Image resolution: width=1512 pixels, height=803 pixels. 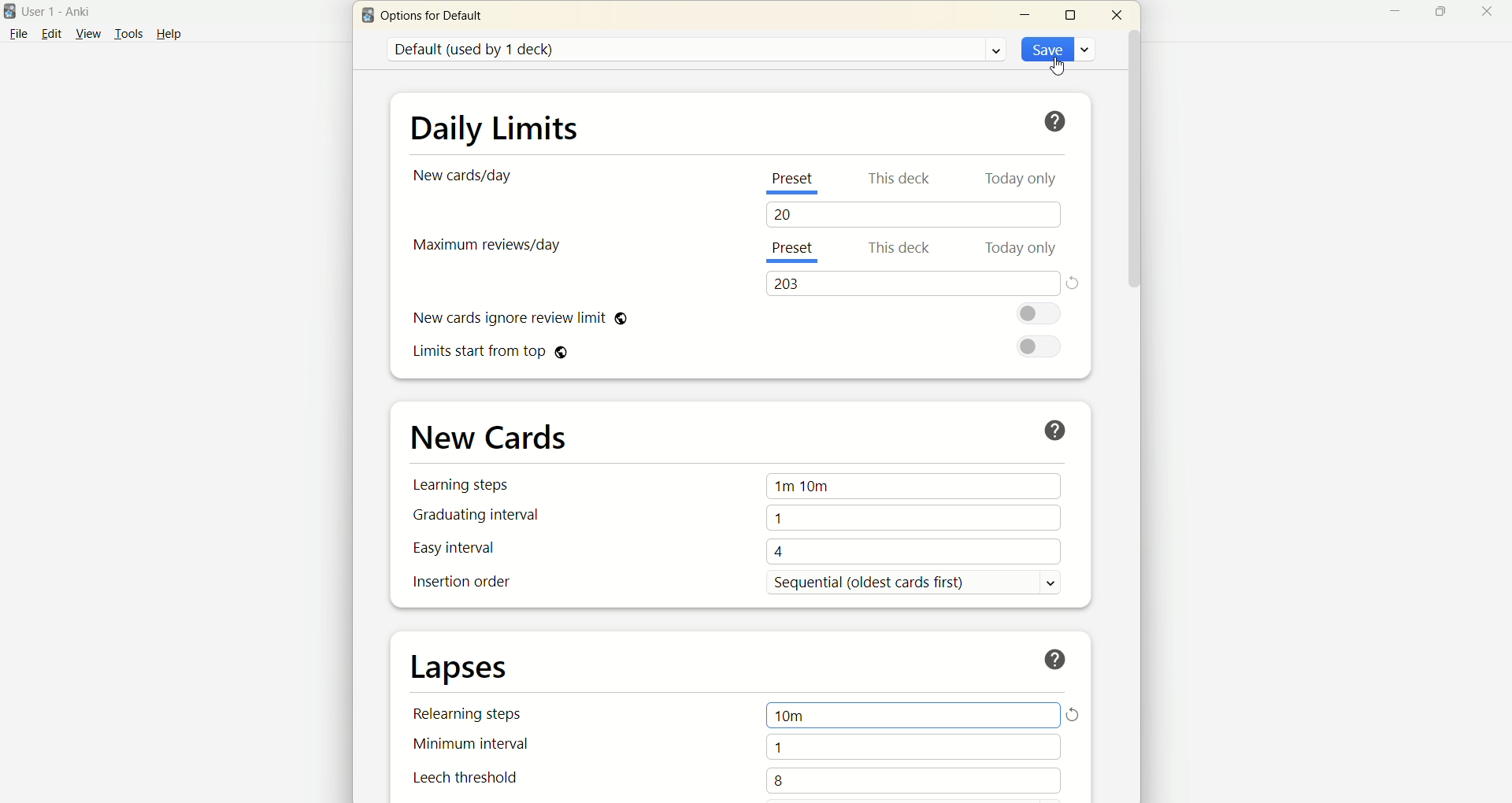 I want to click on present, so click(x=791, y=185).